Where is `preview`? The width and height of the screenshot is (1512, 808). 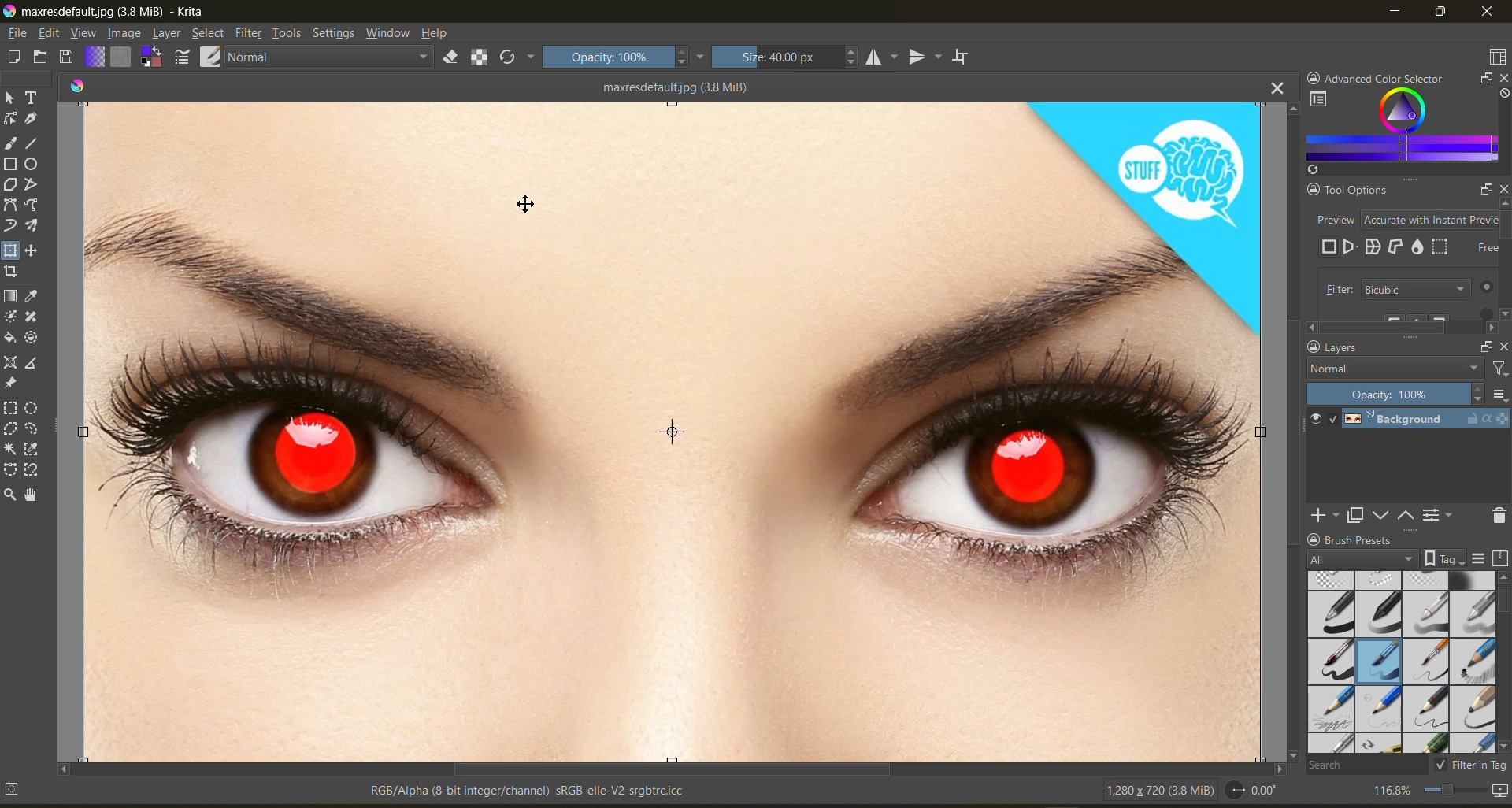
preview is located at coordinates (1317, 421).